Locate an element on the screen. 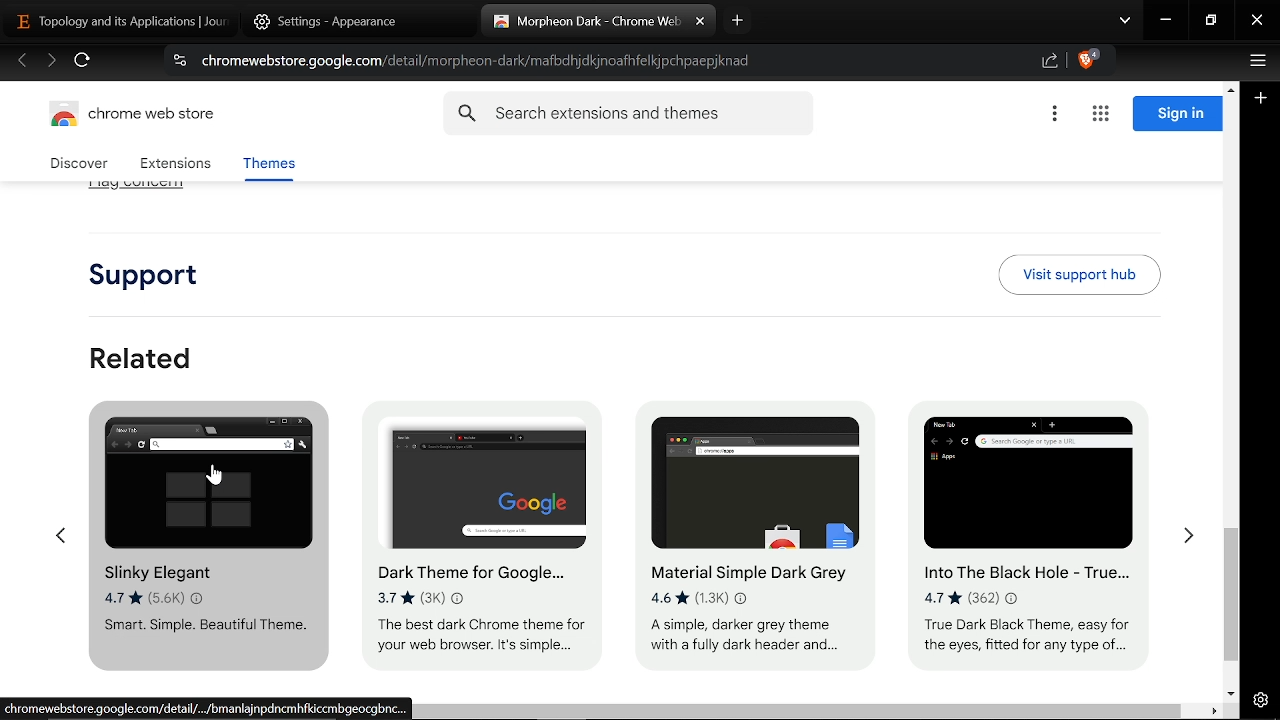 The width and height of the screenshot is (1280, 720). Settings tab is located at coordinates (342, 21).